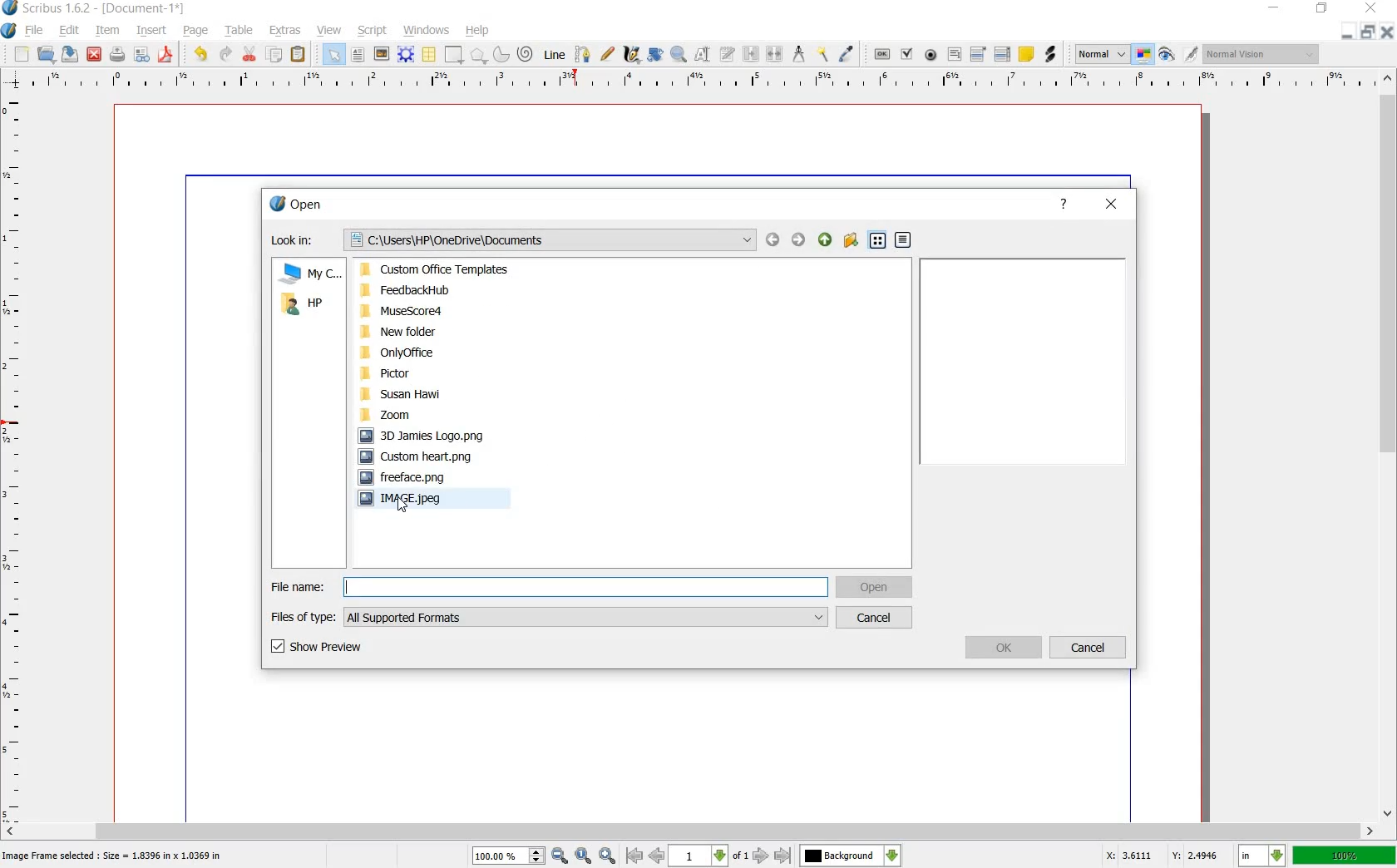 The width and height of the screenshot is (1397, 868). I want to click on Zoom to, so click(585, 855).